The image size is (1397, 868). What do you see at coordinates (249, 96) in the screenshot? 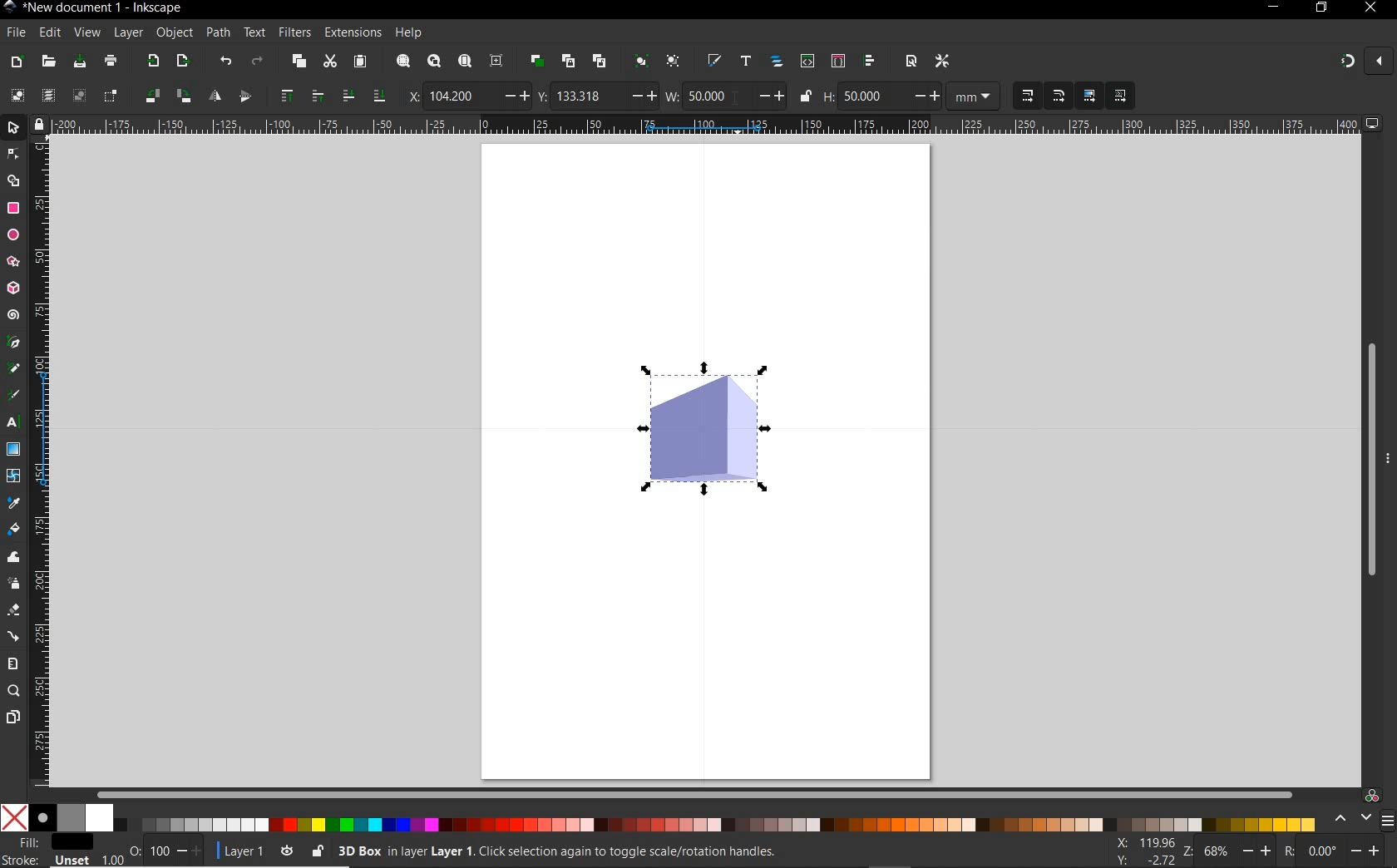
I see `object flip` at bounding box center [249, 96].